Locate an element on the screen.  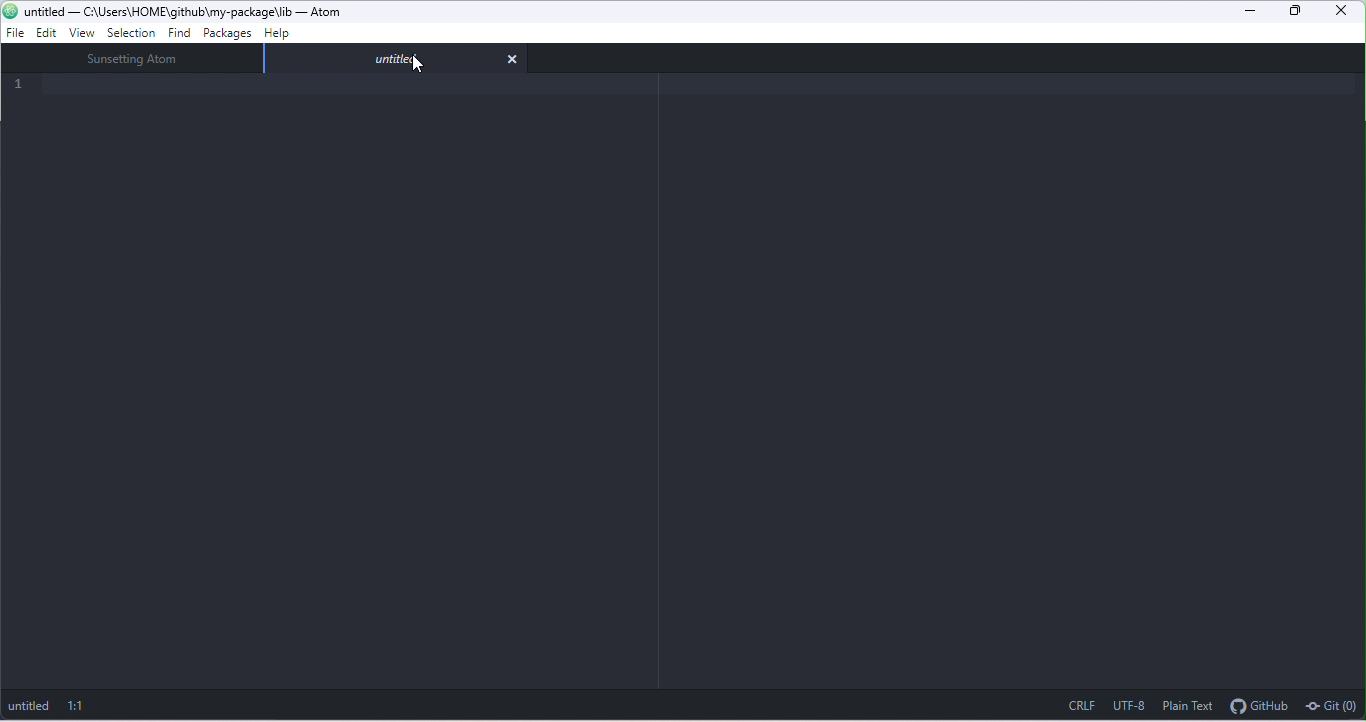
selection is located at coordinates (132, 34).